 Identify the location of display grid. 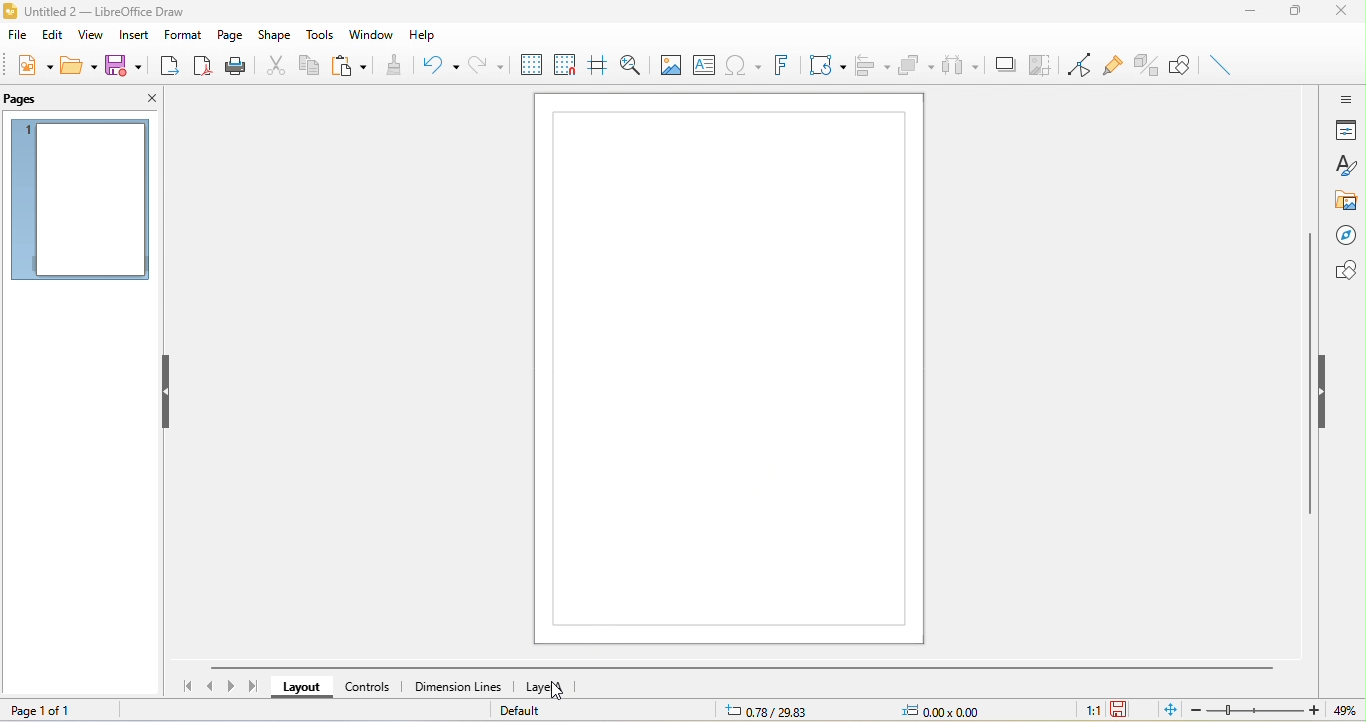
(532, 64).